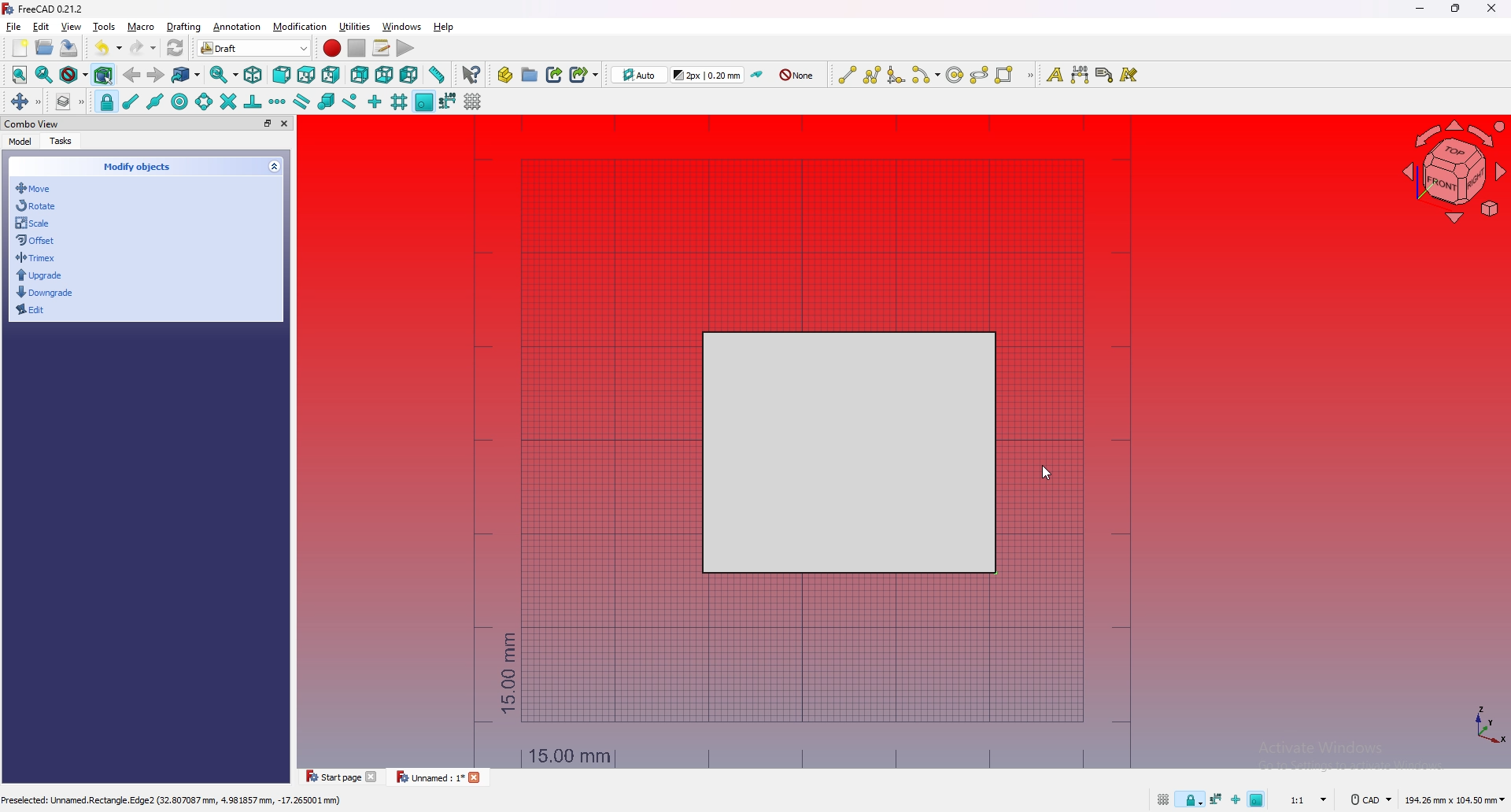  What do you see at coordinates (144, 47) in the screenshot?
I see `redo` at bounding box center [144, 47].